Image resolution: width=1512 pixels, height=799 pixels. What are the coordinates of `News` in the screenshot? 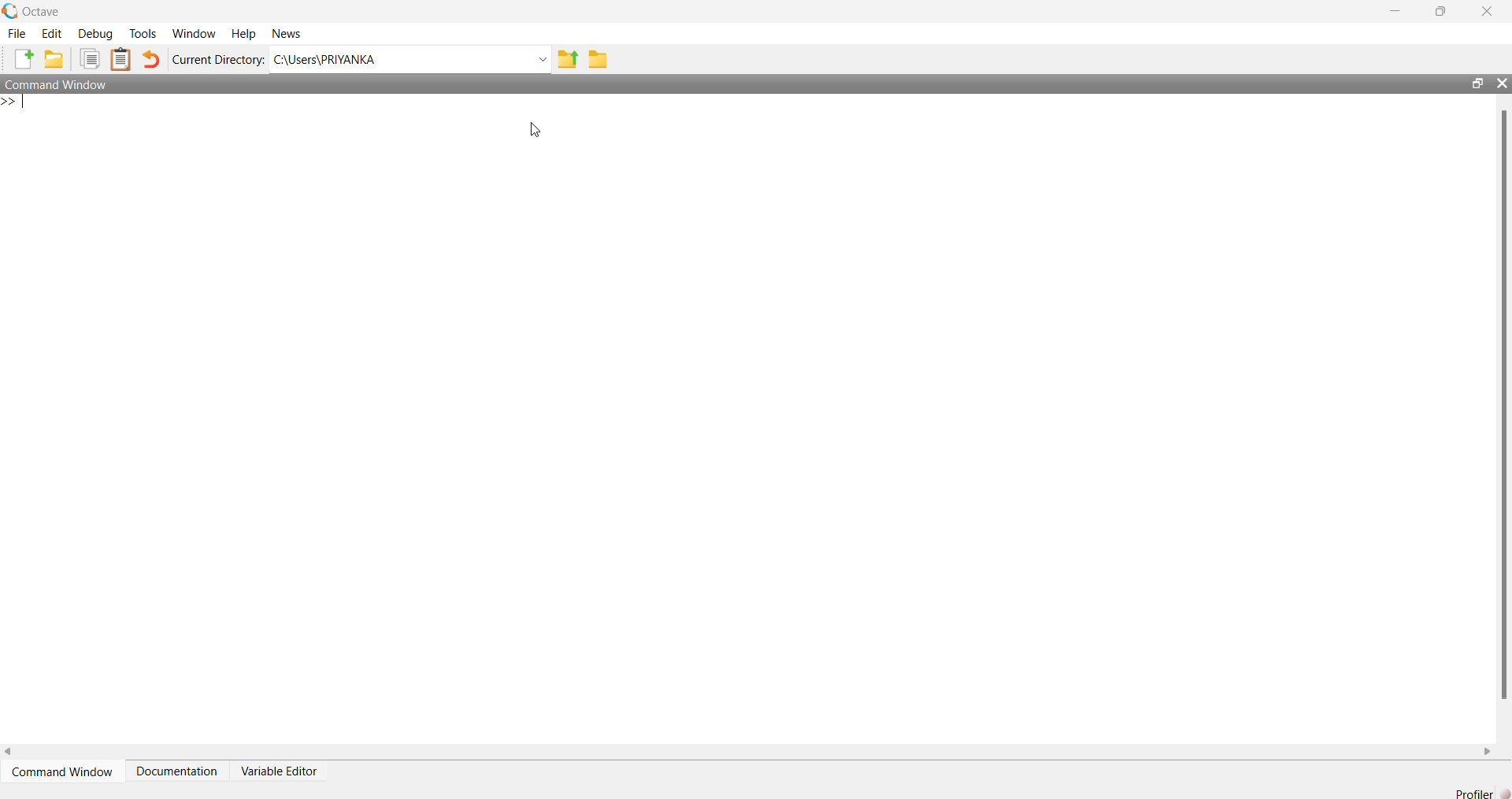 It's located at (286, 34).